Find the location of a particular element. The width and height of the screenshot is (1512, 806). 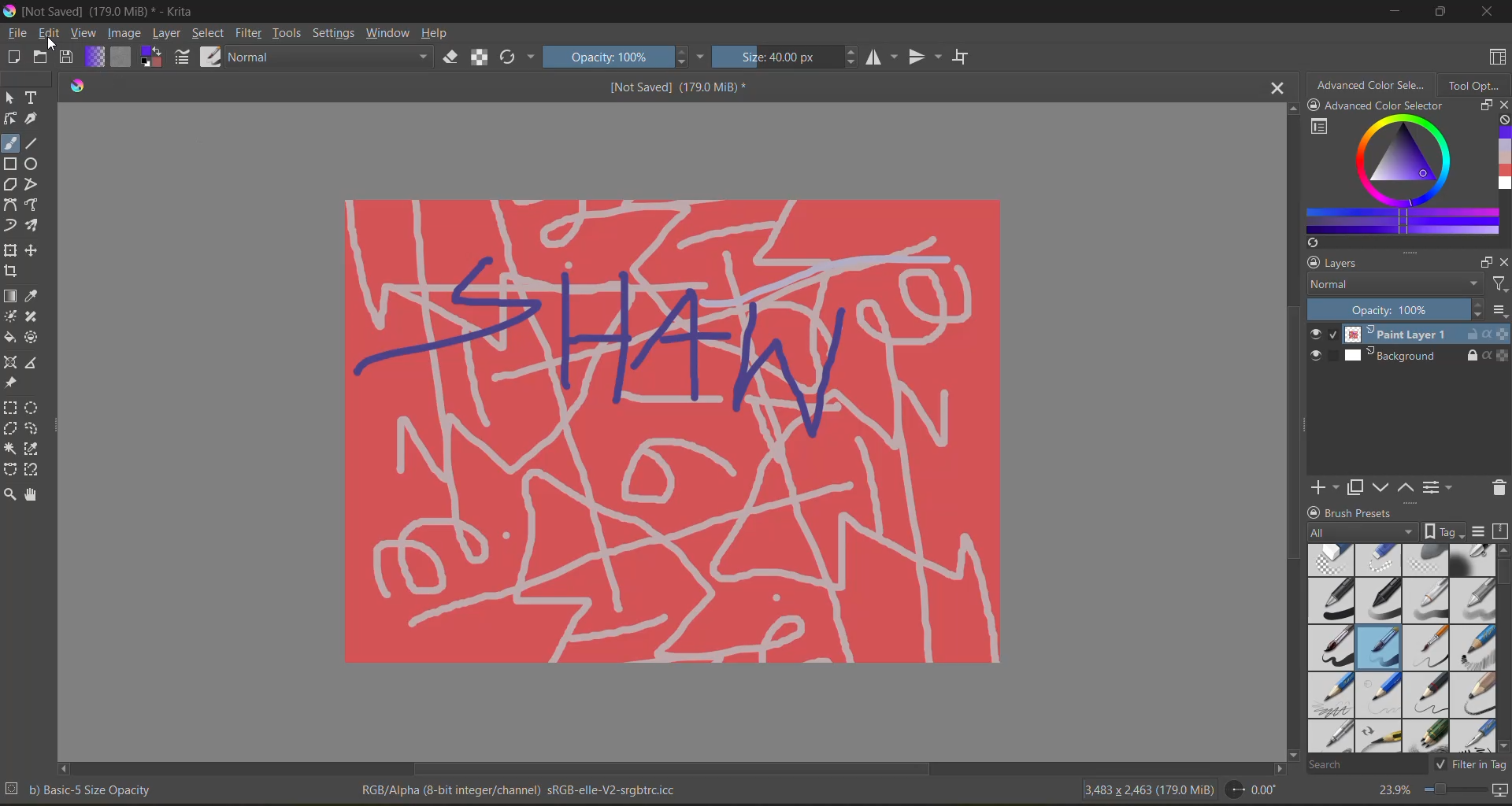

polyline tool is located at coordinates (31, 184).